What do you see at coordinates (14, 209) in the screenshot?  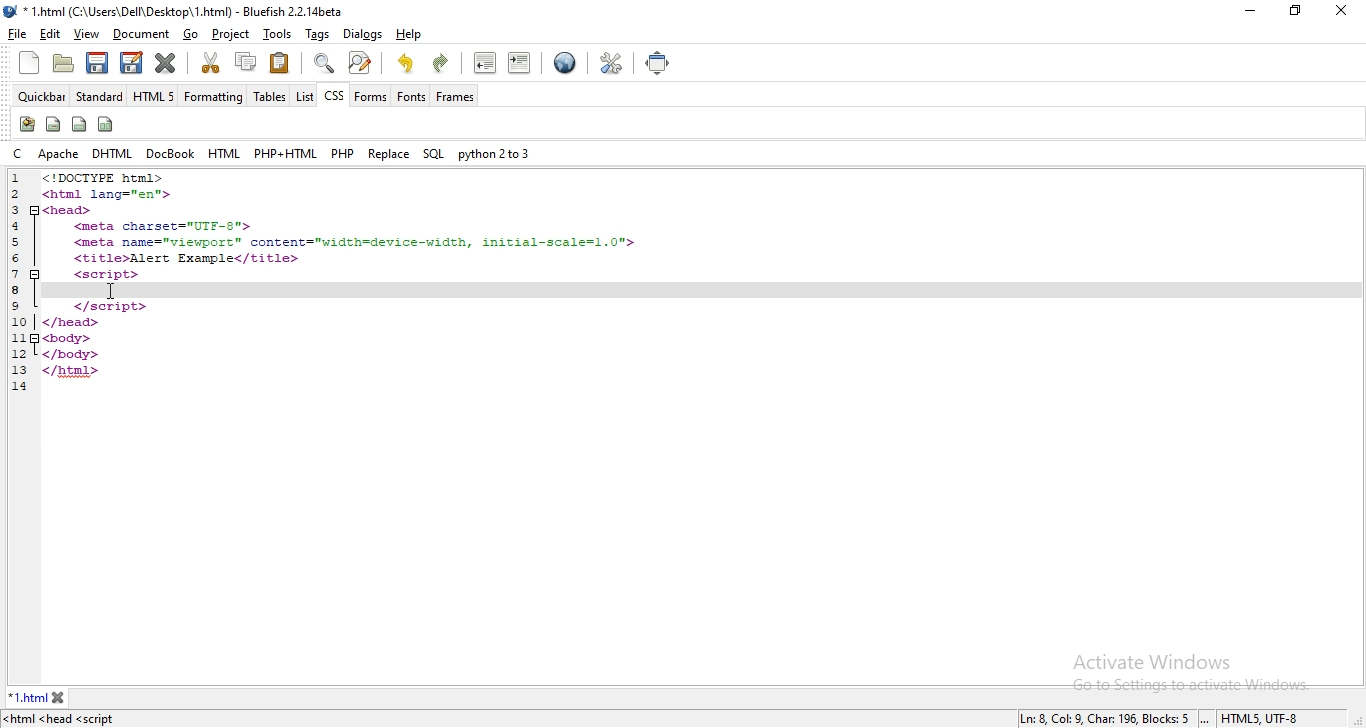 I see `3` at bounding box center [14, 209].